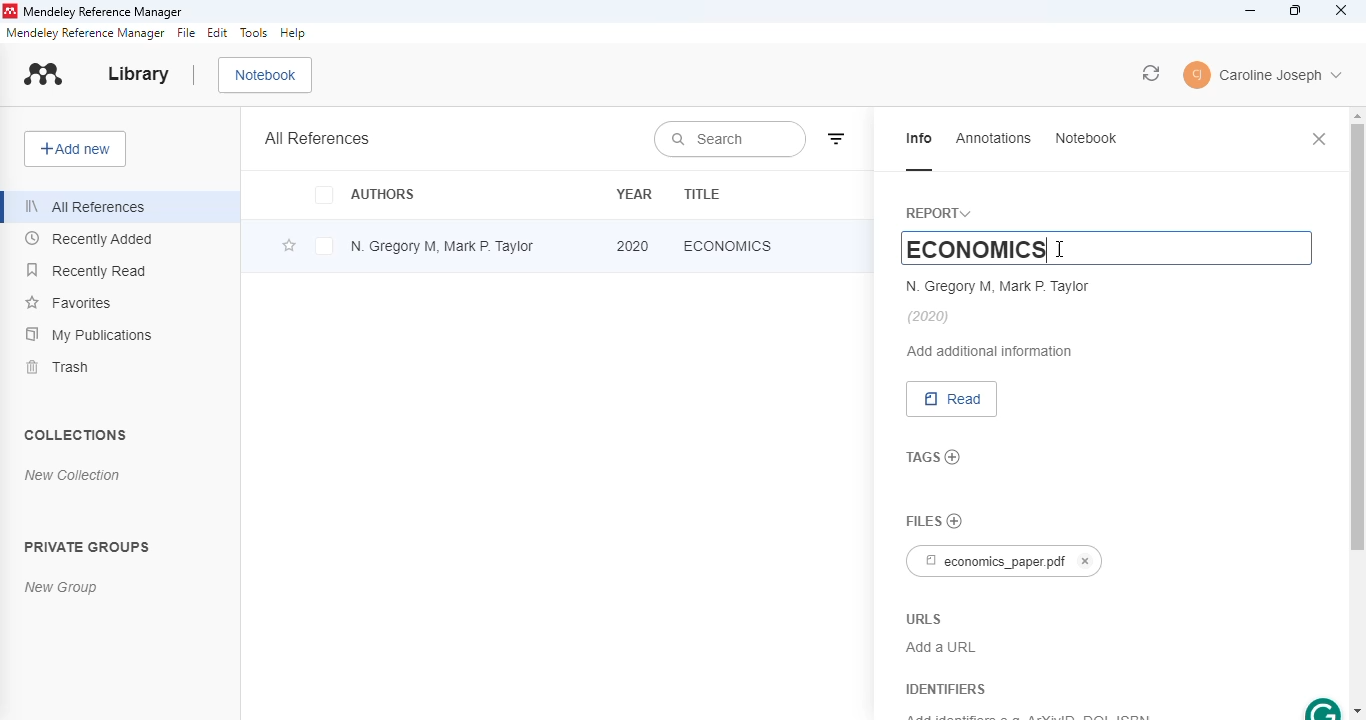  I want to click on all references, so click(86, 207).